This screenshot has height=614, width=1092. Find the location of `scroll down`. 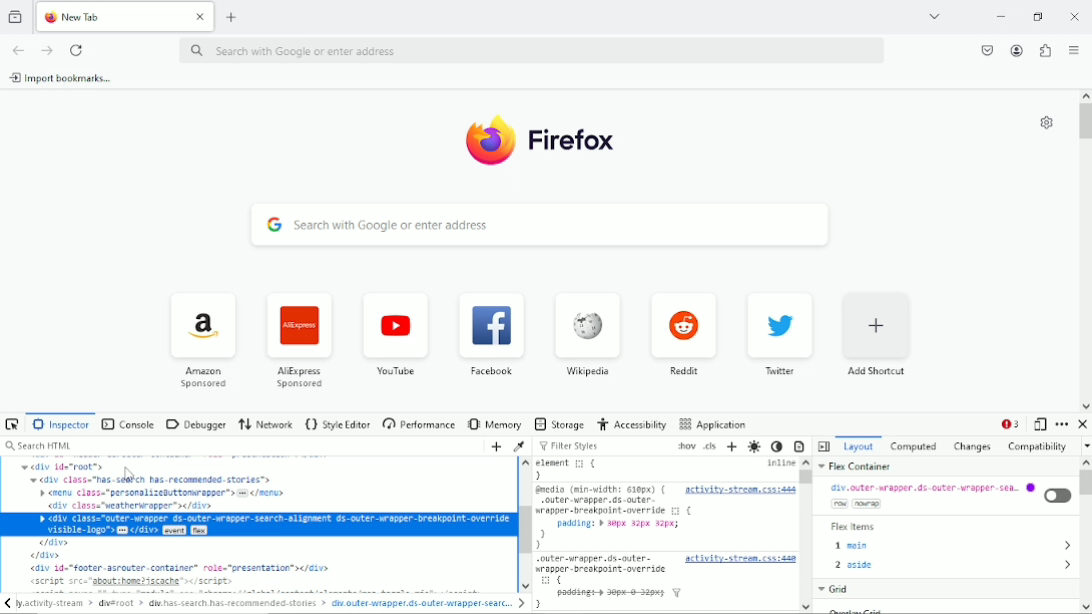

scroll down is located at coordinates (808, 607).